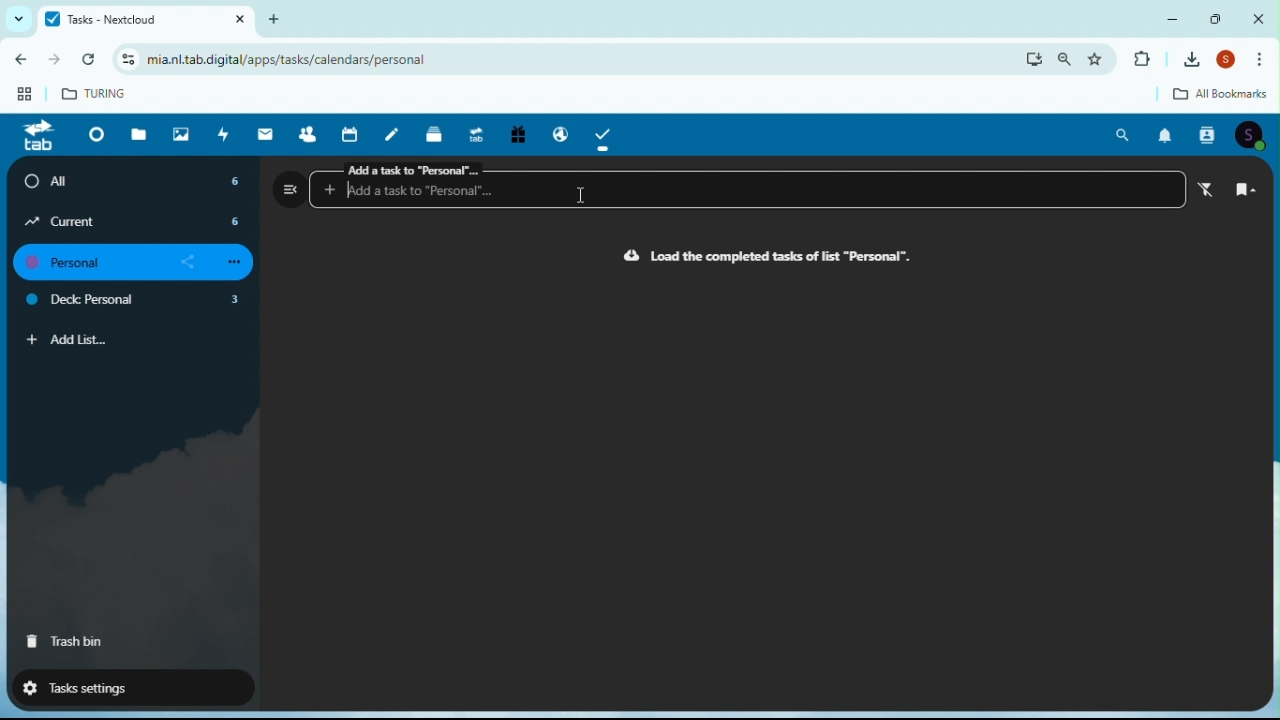 The image size is (1280, 720). I want to click on turing, so click(96, 92).